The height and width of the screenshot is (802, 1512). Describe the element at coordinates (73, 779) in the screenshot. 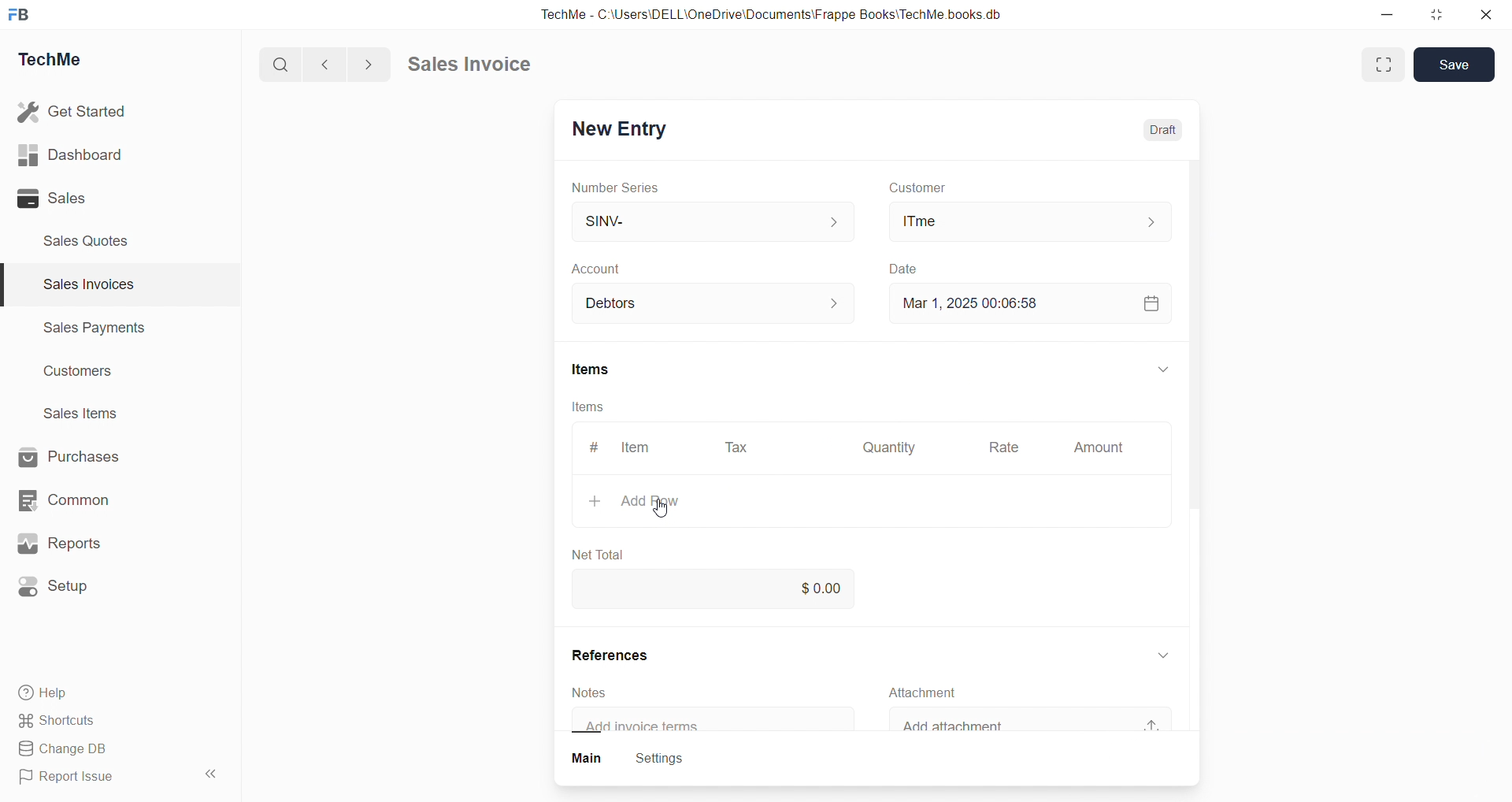

I see ` Report Issue` at that location.